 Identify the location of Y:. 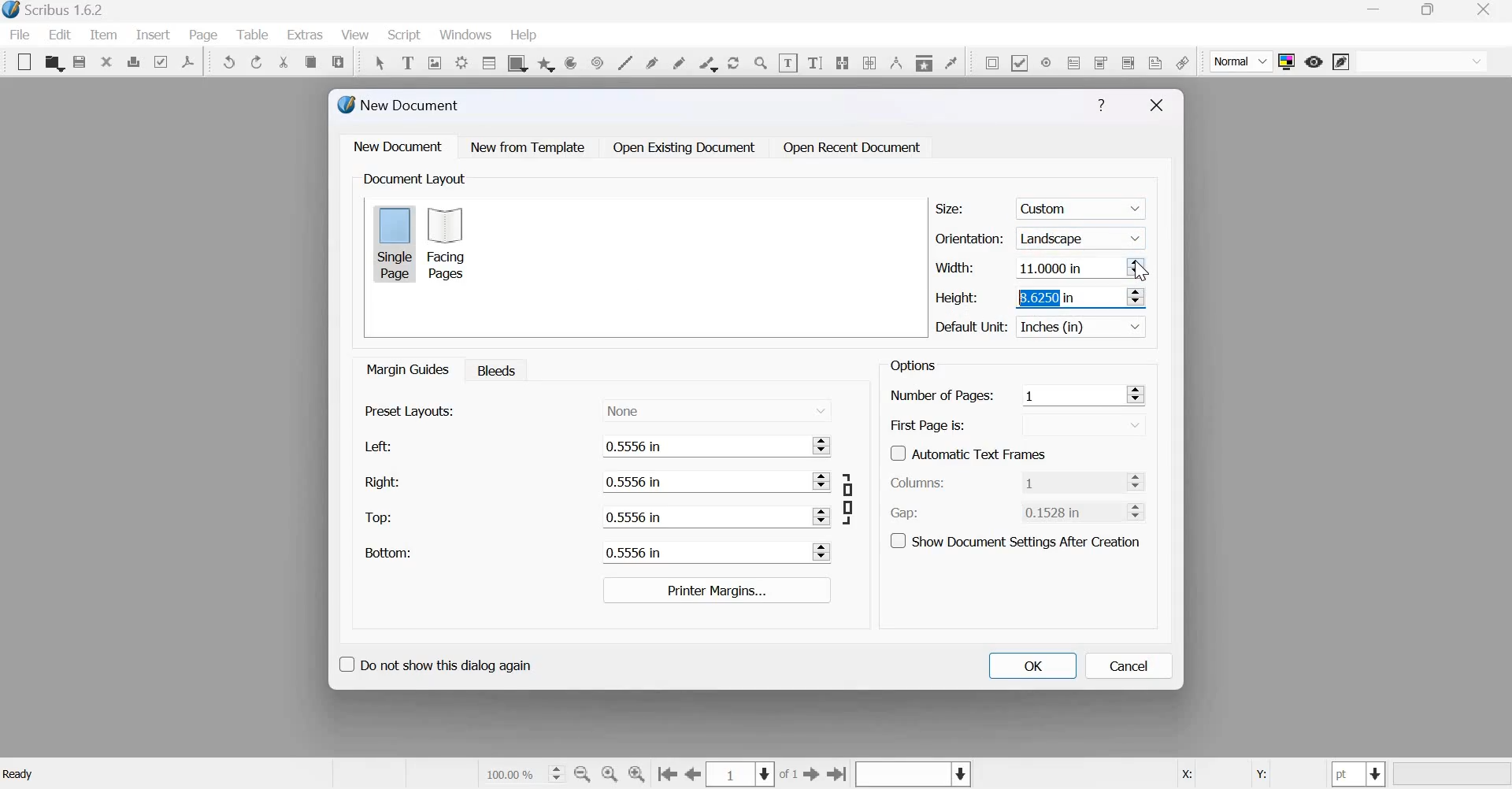
(1258, 775).